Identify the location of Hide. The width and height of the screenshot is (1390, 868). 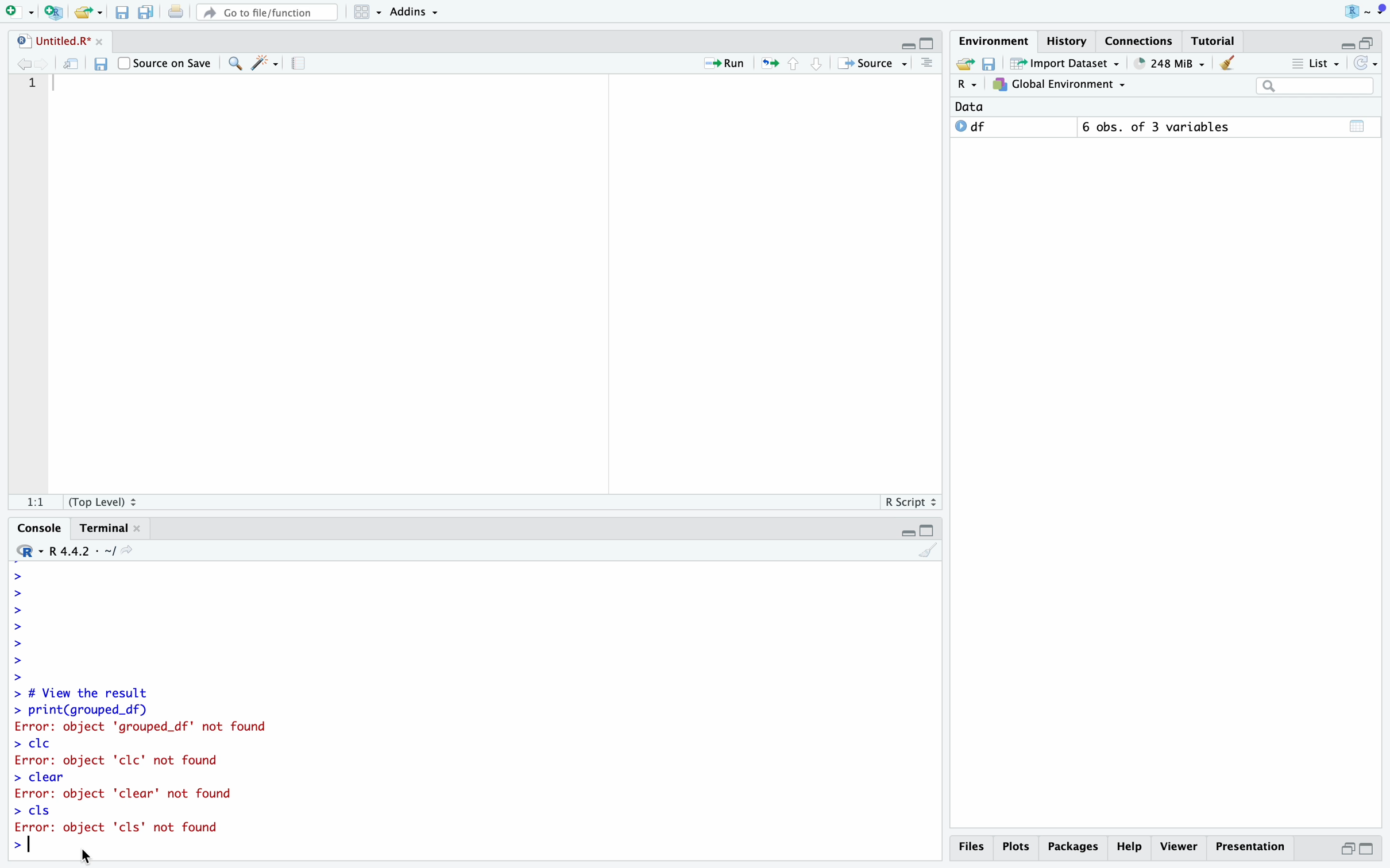
(1347, 42).